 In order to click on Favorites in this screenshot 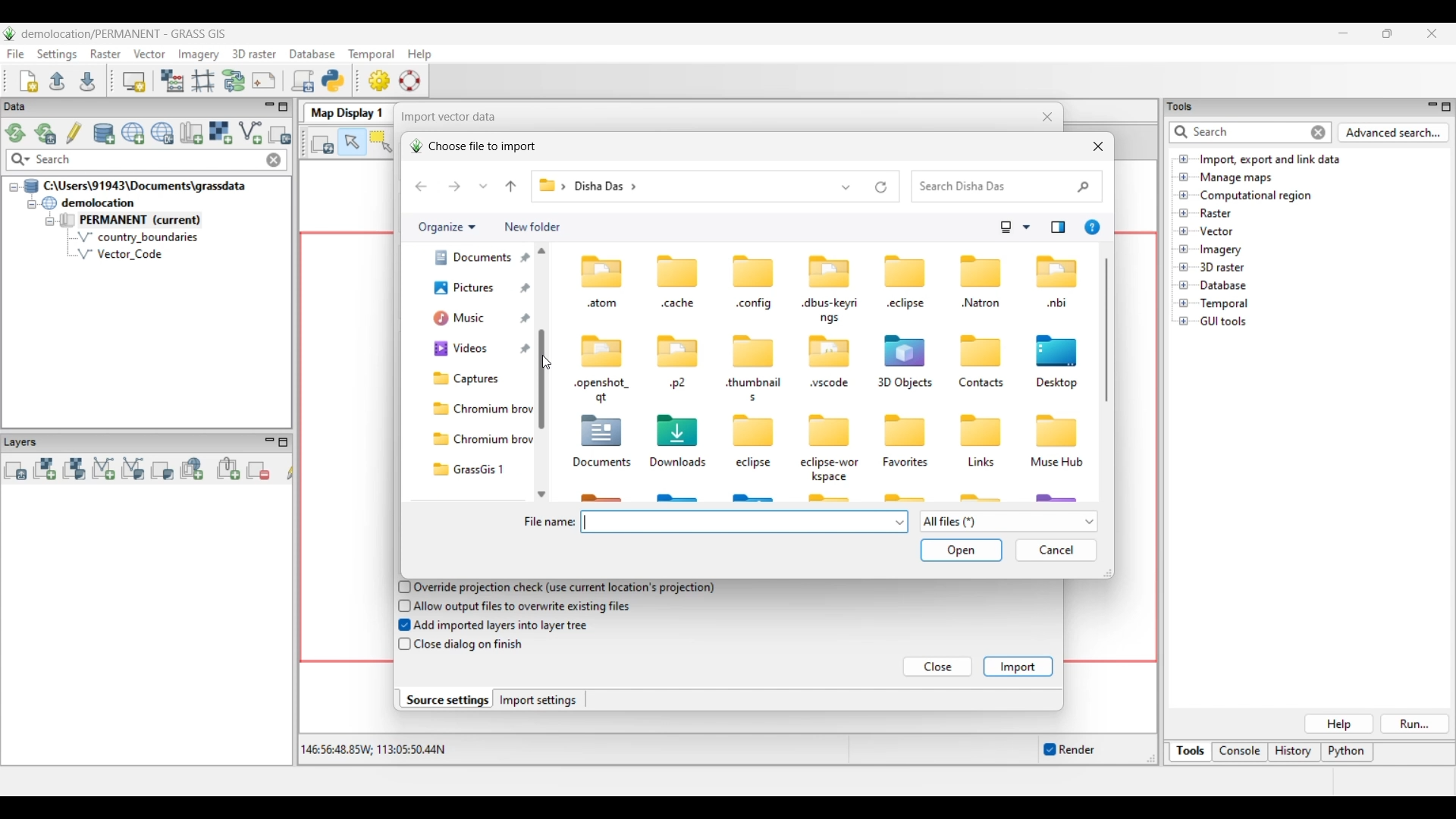, I will do `click(908, 463)`.